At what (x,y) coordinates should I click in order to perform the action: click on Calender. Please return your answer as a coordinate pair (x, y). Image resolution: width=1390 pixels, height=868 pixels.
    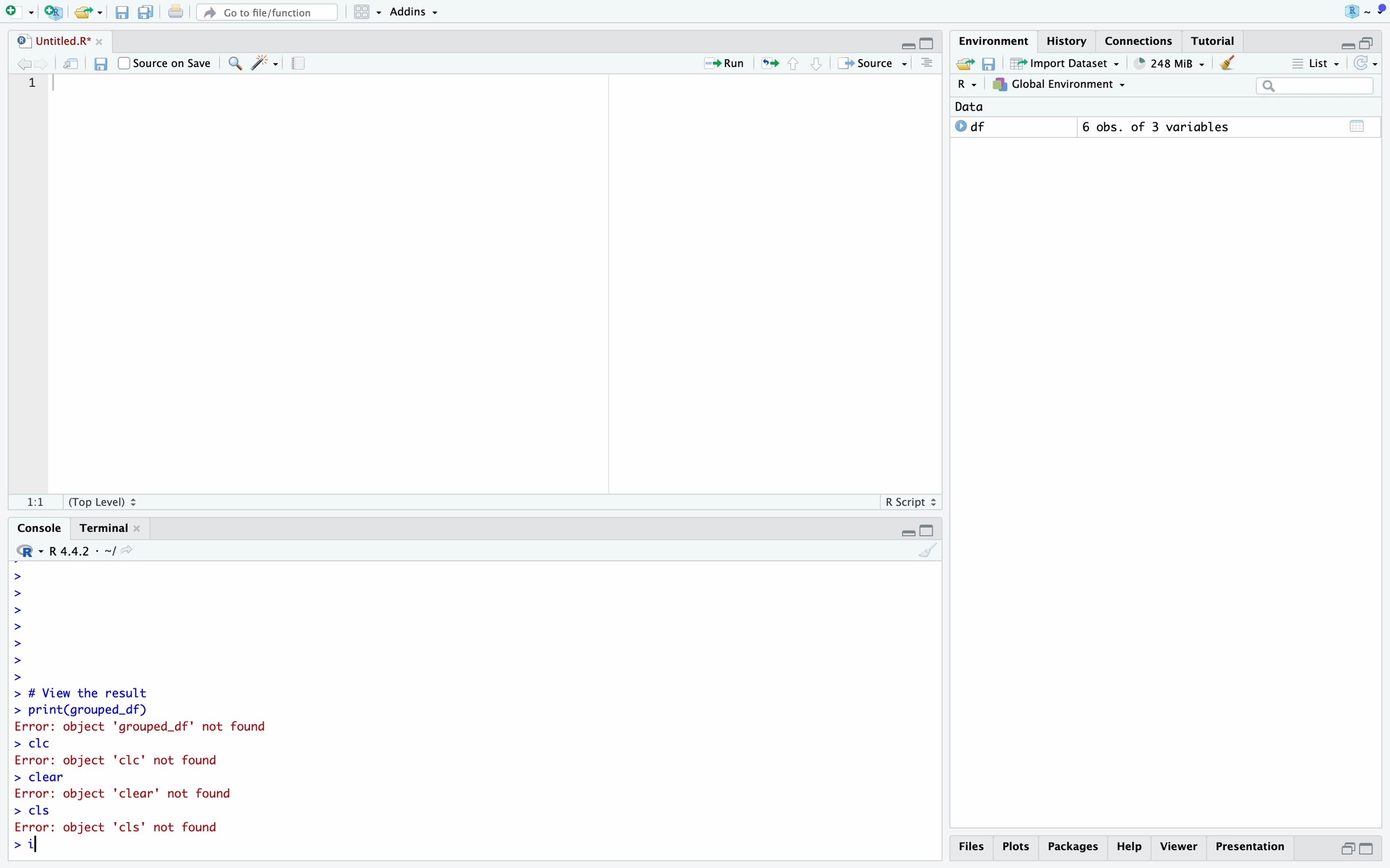
    Looking at the image, I should click on (1359, 127).